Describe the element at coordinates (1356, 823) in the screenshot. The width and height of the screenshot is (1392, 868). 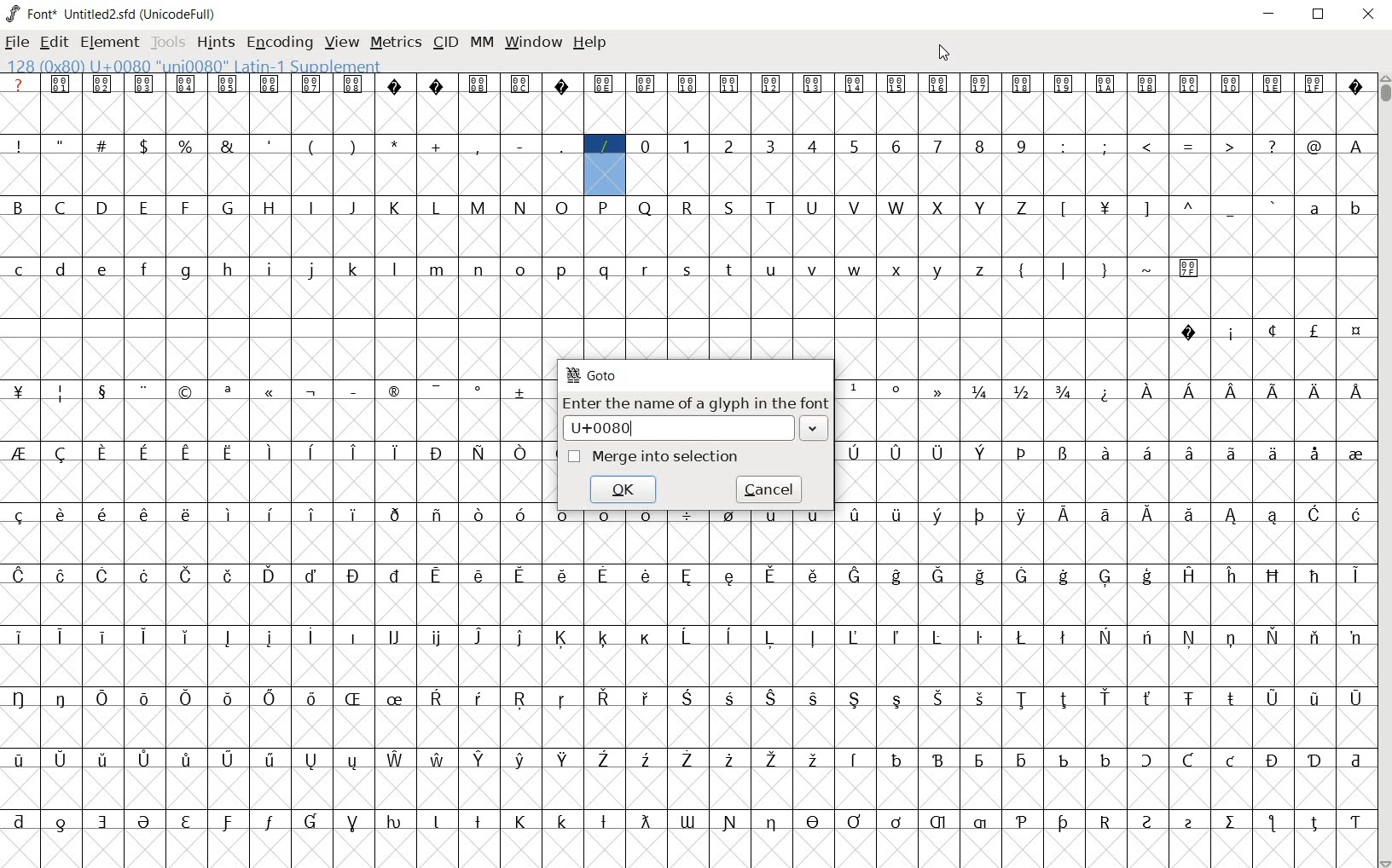
I see `glyph` at that location.